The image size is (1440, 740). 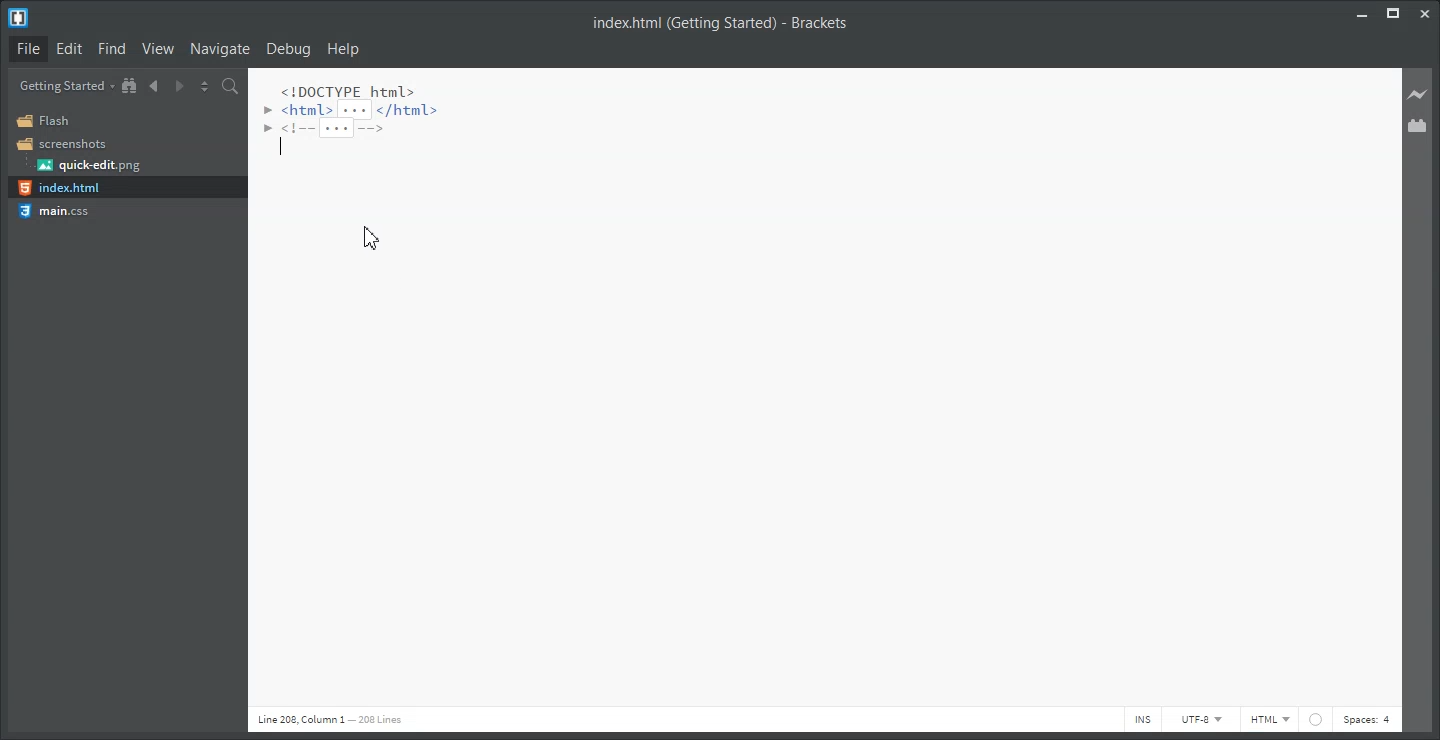 I want to click on Find, so click(x=111, y=48).